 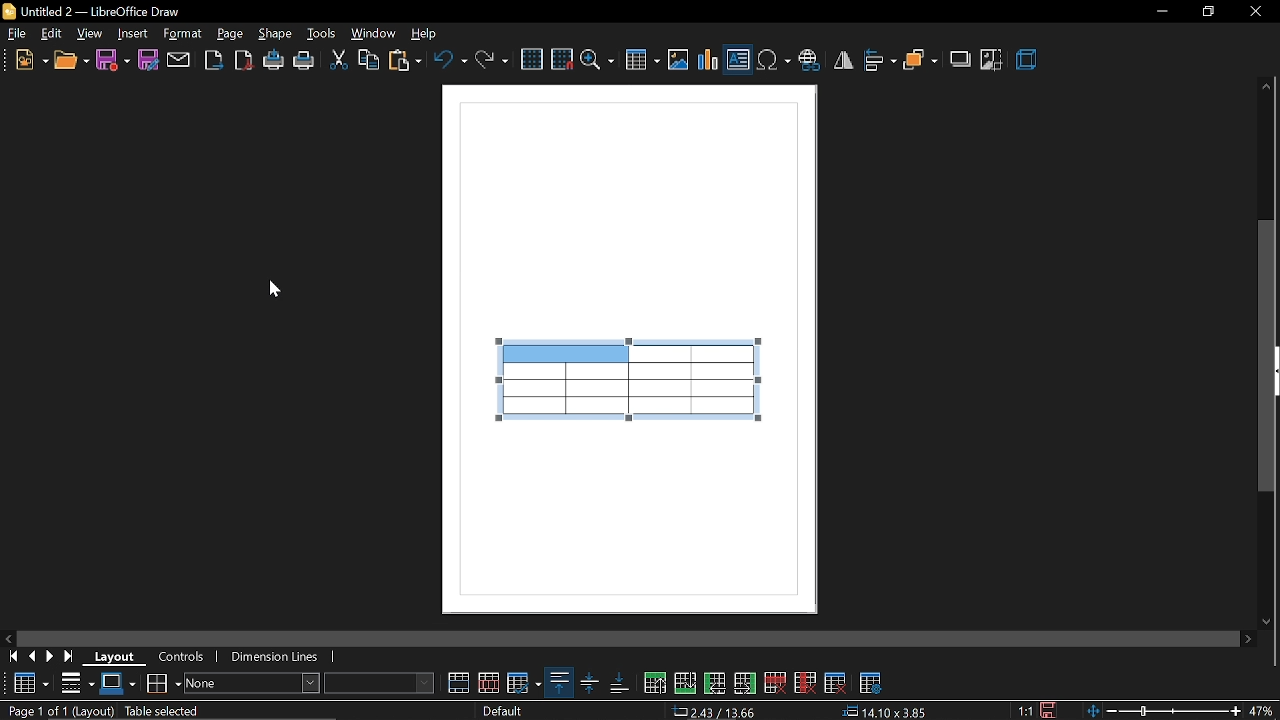 What do you see at coordinates (89, 33) in the screenshot?
I see `view` at bounding box center [89, 33].